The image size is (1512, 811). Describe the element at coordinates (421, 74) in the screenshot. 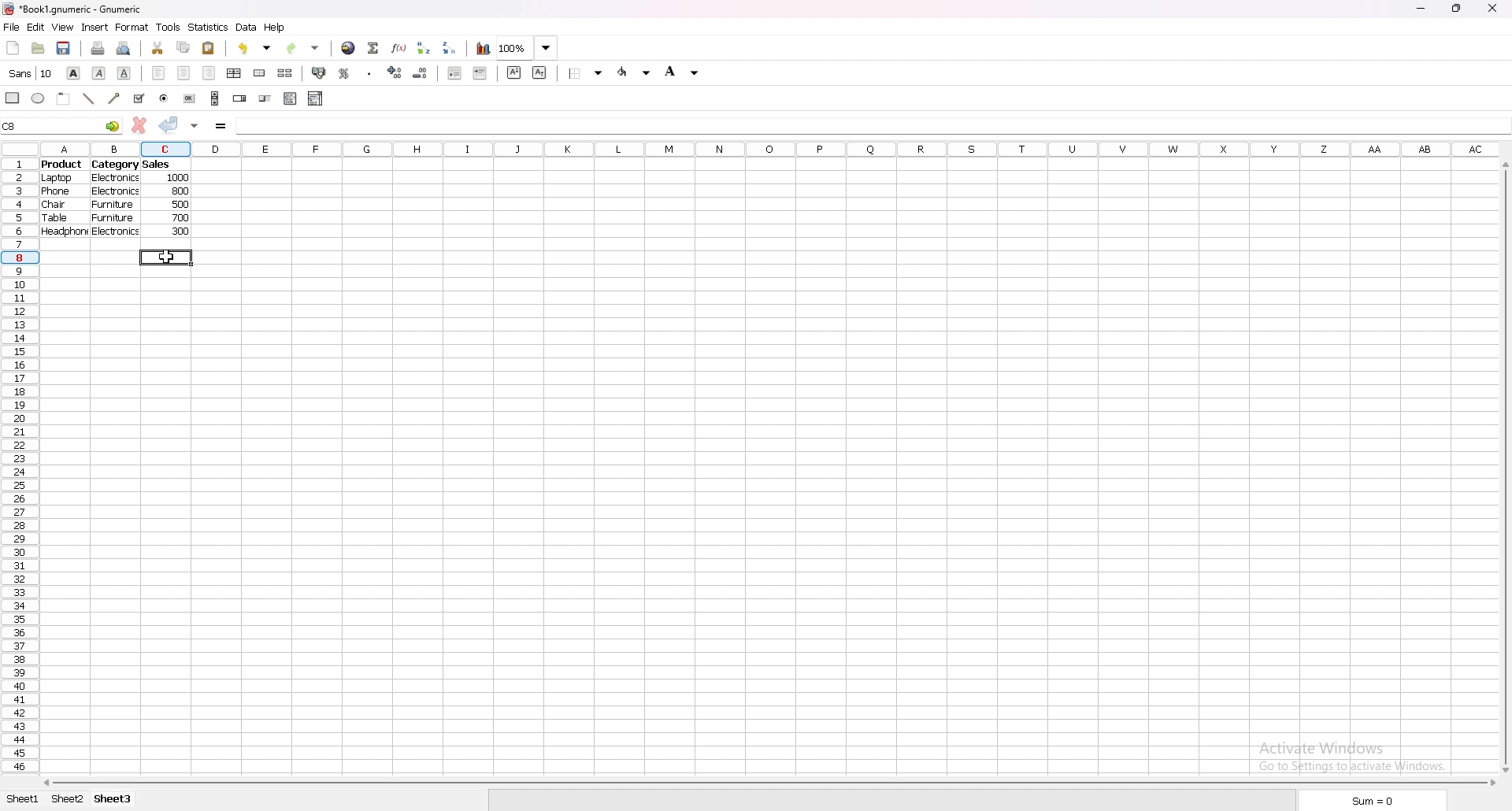

I see `decrease decimal points` at that location.